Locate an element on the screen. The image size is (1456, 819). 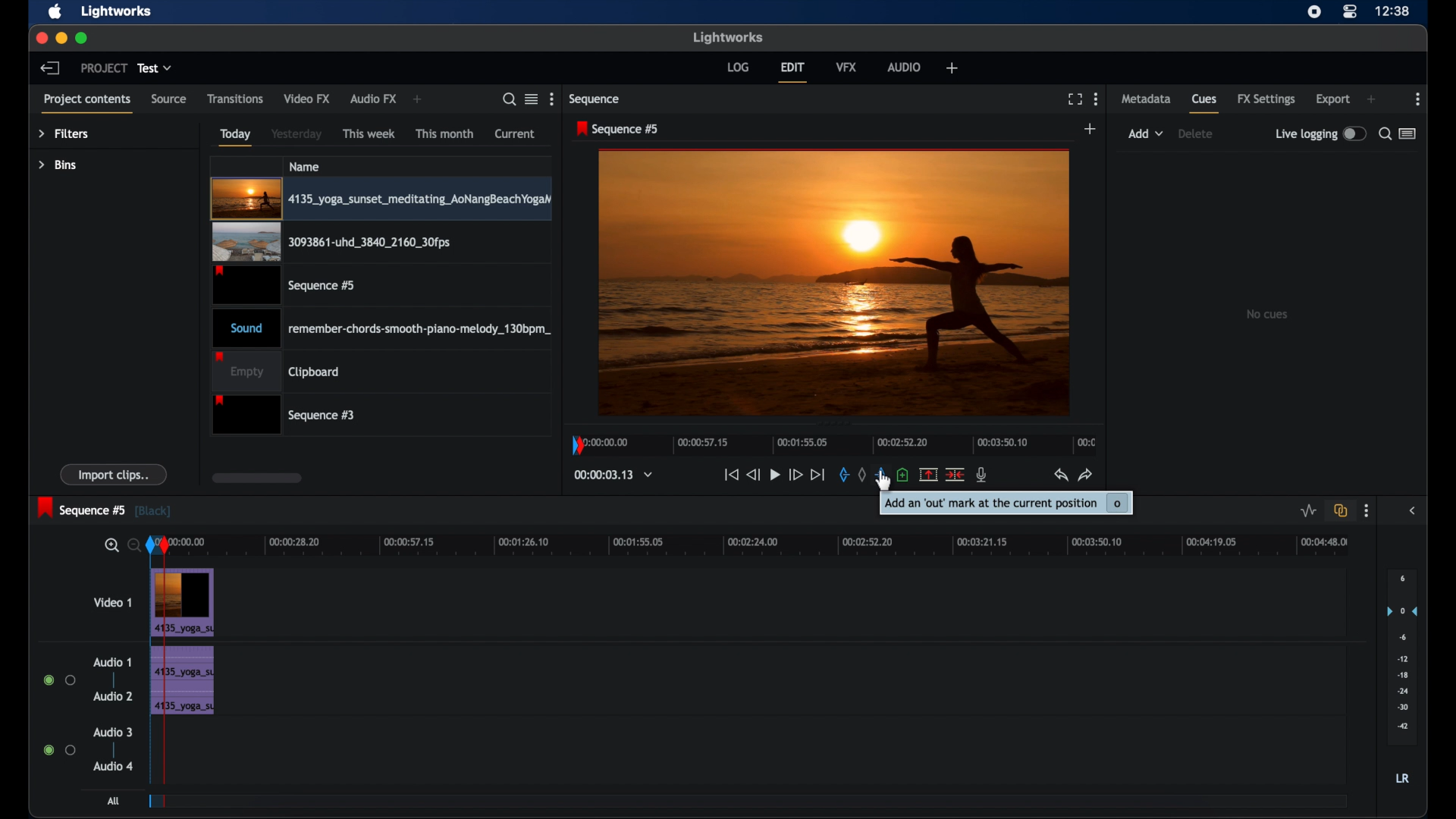
this week is located at coordinates (369, 133).